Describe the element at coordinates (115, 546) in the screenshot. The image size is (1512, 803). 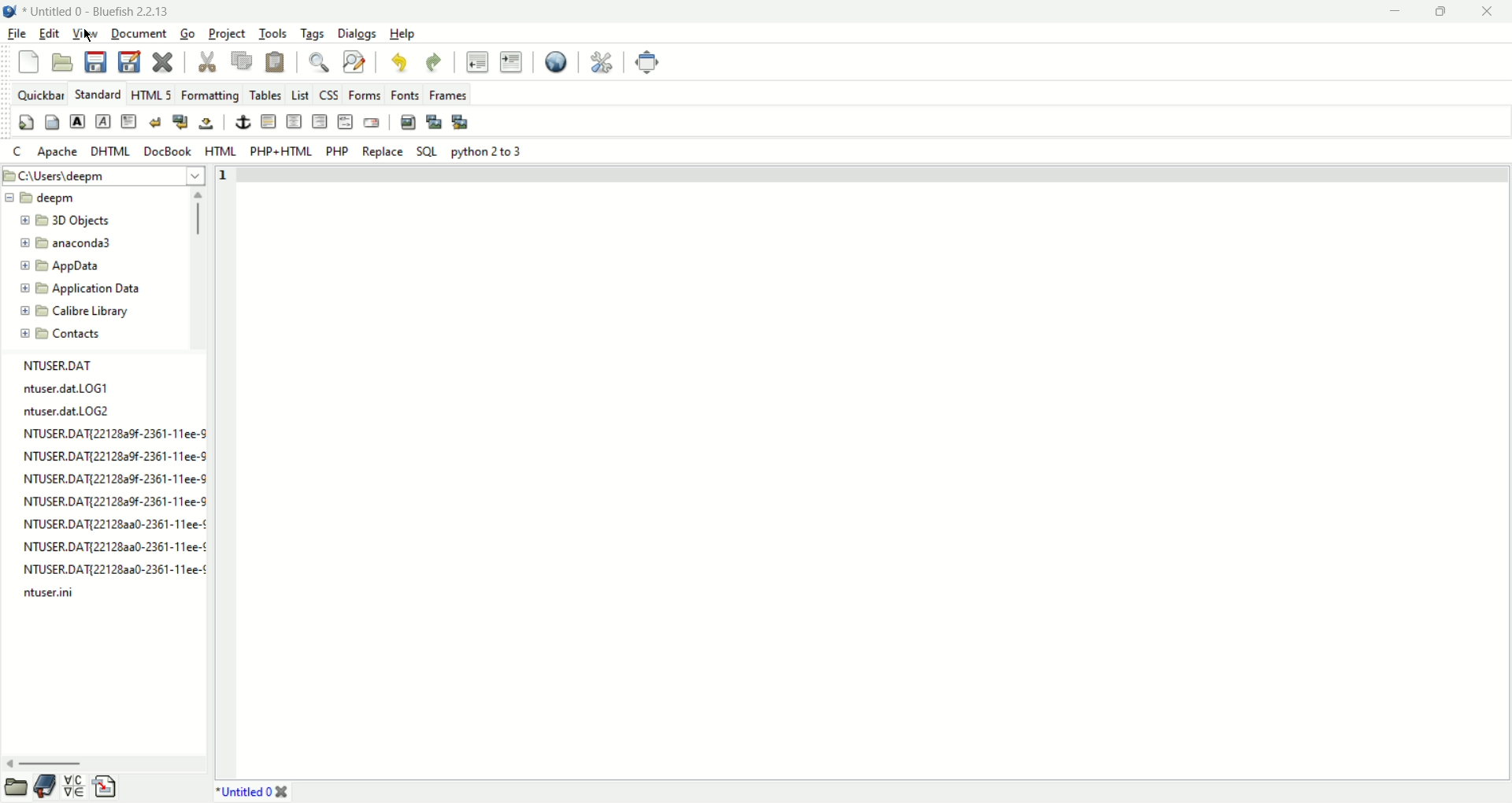
I see `NTUSER.DAT{22128aa0-2361-11ee-¢` at that location.